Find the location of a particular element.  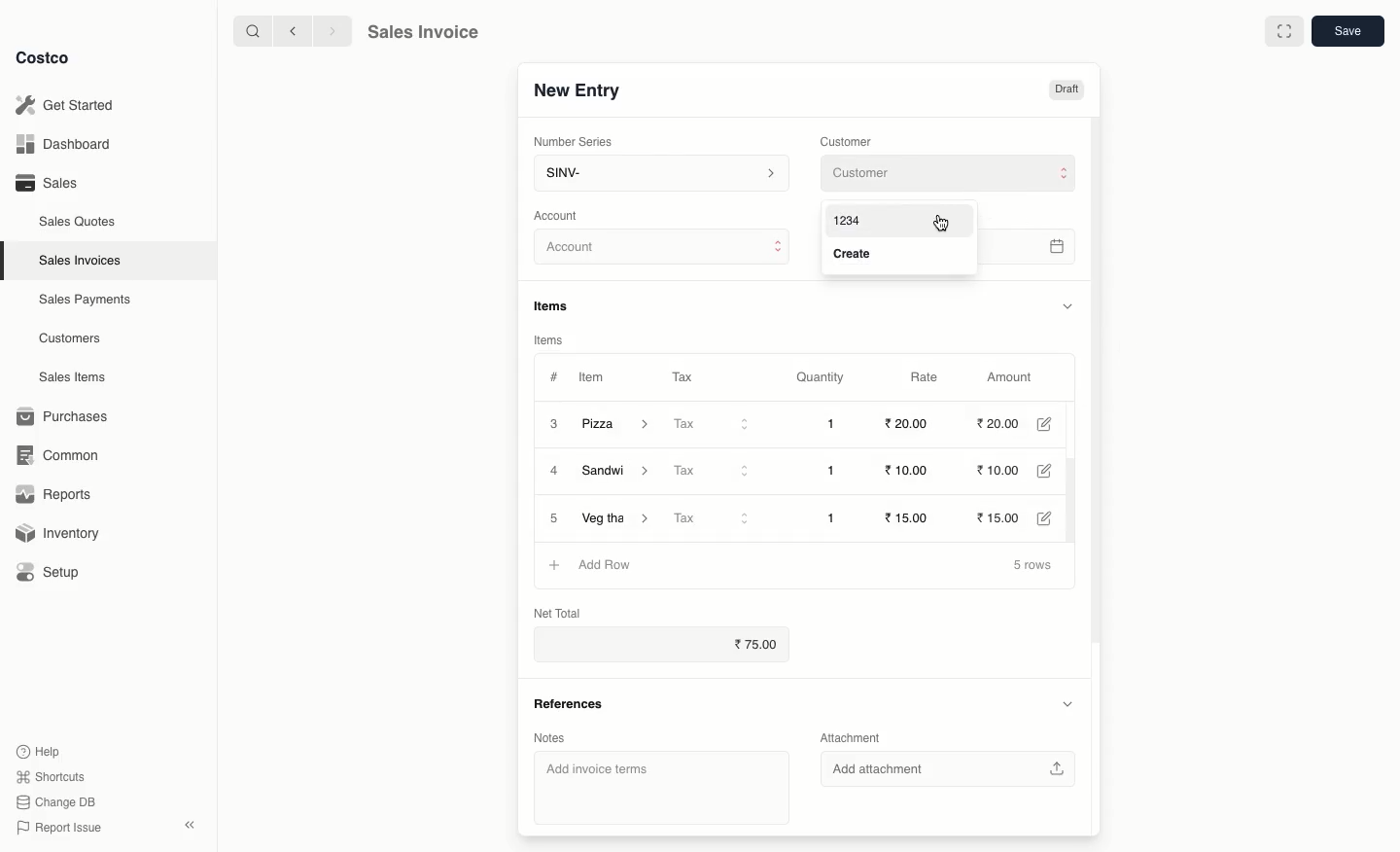

Edit is located at coordinates (1053, 517).